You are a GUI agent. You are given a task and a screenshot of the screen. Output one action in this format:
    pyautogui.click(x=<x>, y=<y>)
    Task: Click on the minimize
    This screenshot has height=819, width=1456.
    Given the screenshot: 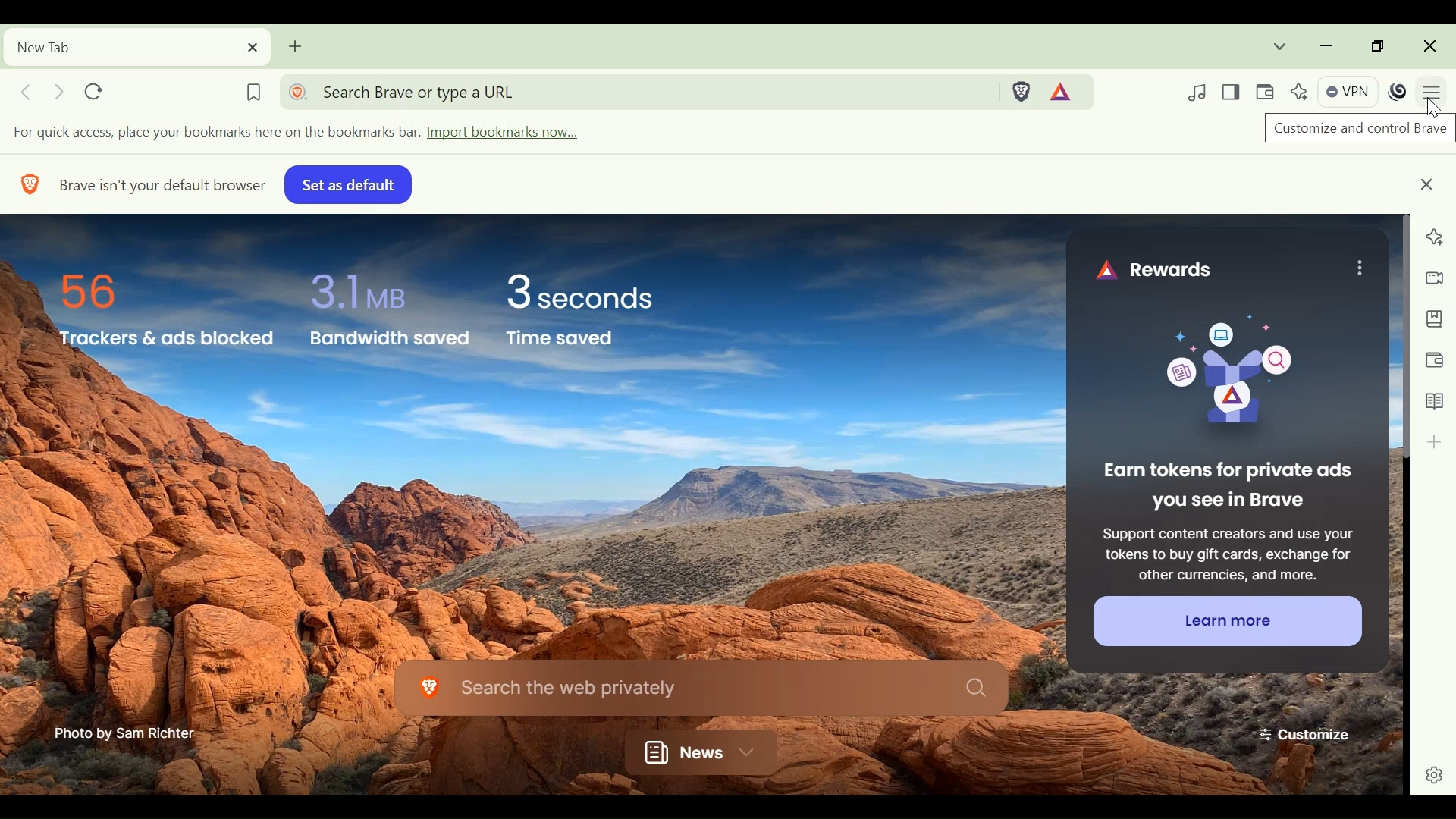 What is the action you would take?
    pyautogui.click(x=1326, y=45)
    